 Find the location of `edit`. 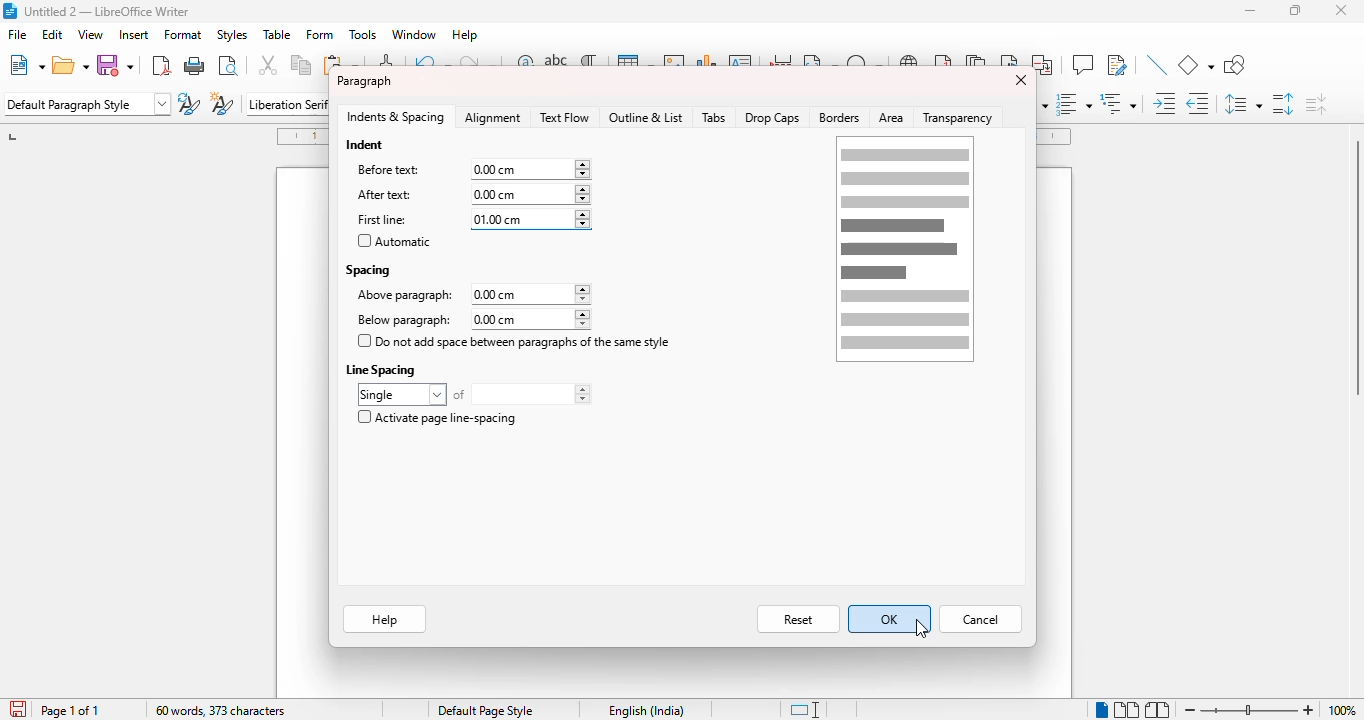

edit is located at coordinates (53, 34).